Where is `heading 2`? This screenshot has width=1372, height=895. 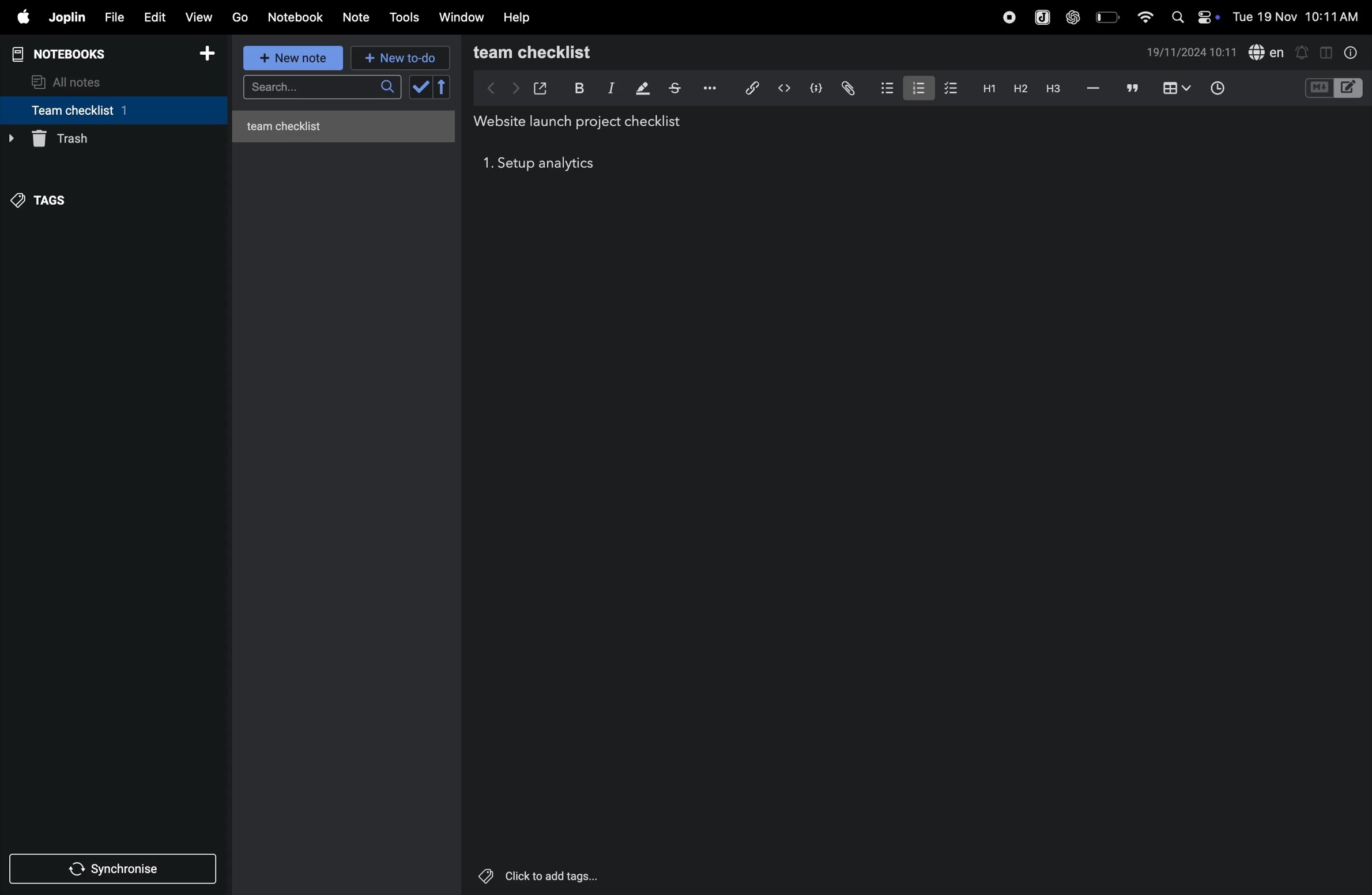 heading 2 is located at coordinates (986, 88).